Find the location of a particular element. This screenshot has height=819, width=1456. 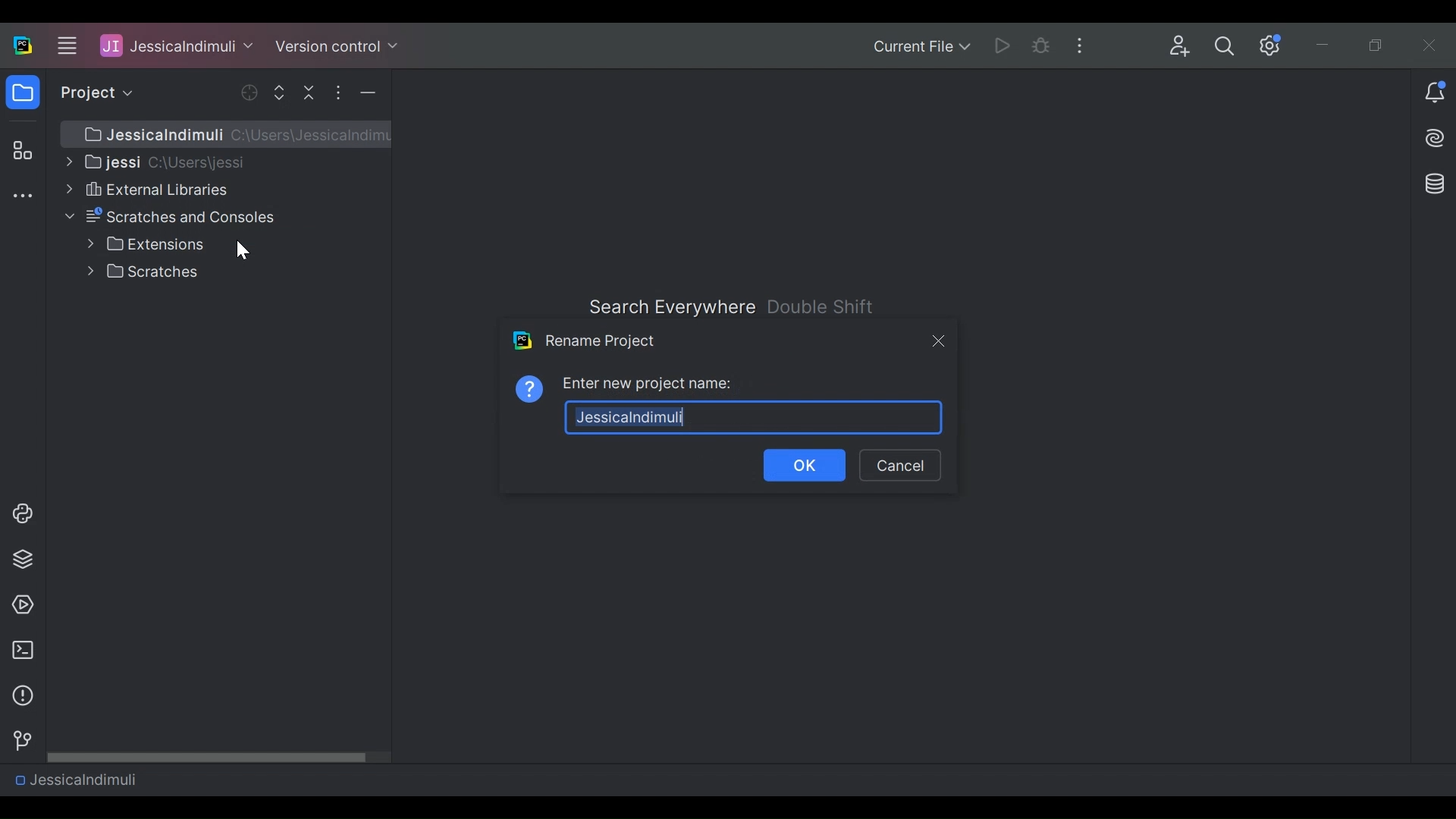

Database is located at coordinates (1432, 183).